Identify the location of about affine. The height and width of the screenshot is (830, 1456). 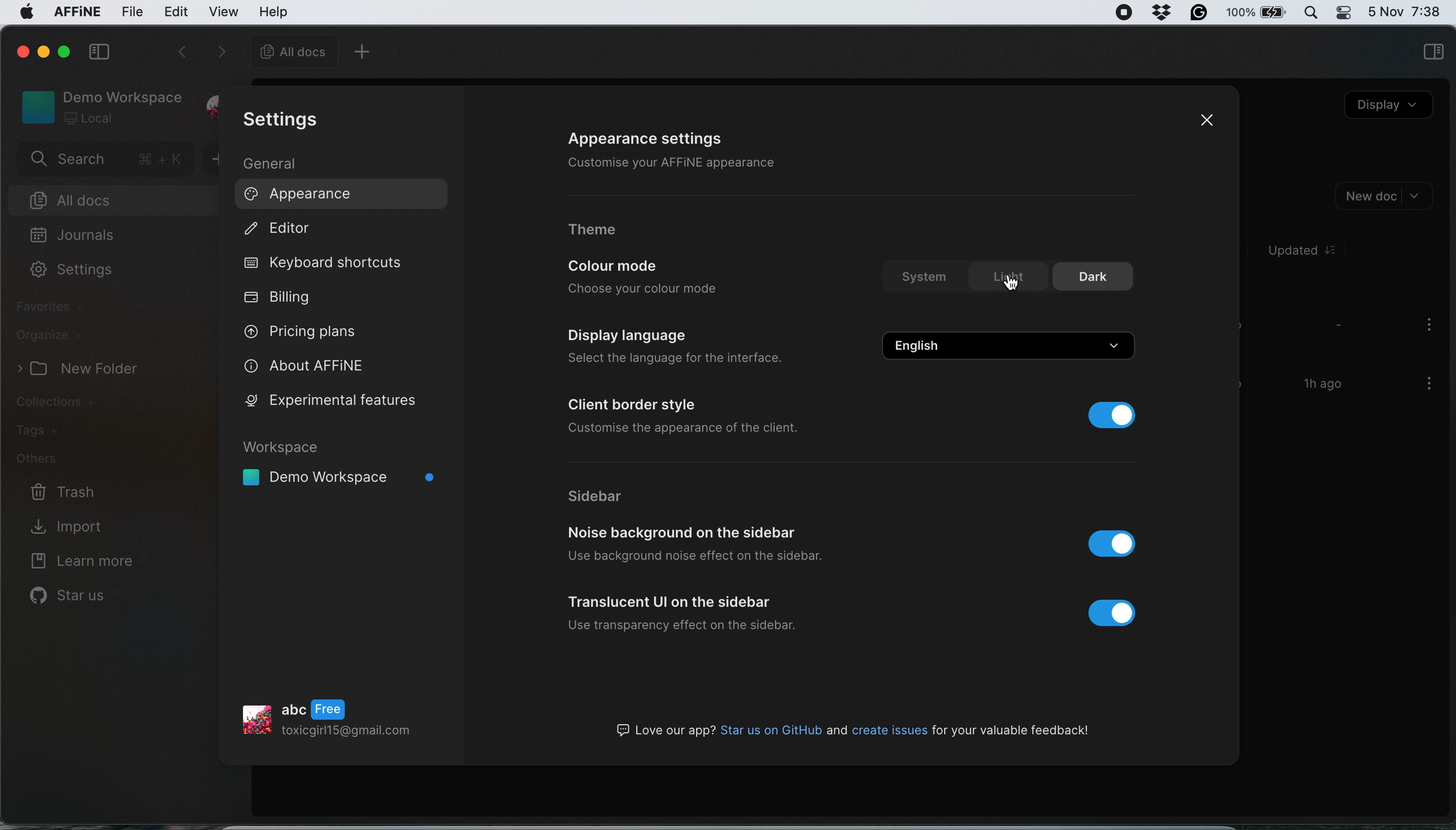
(317, 366).